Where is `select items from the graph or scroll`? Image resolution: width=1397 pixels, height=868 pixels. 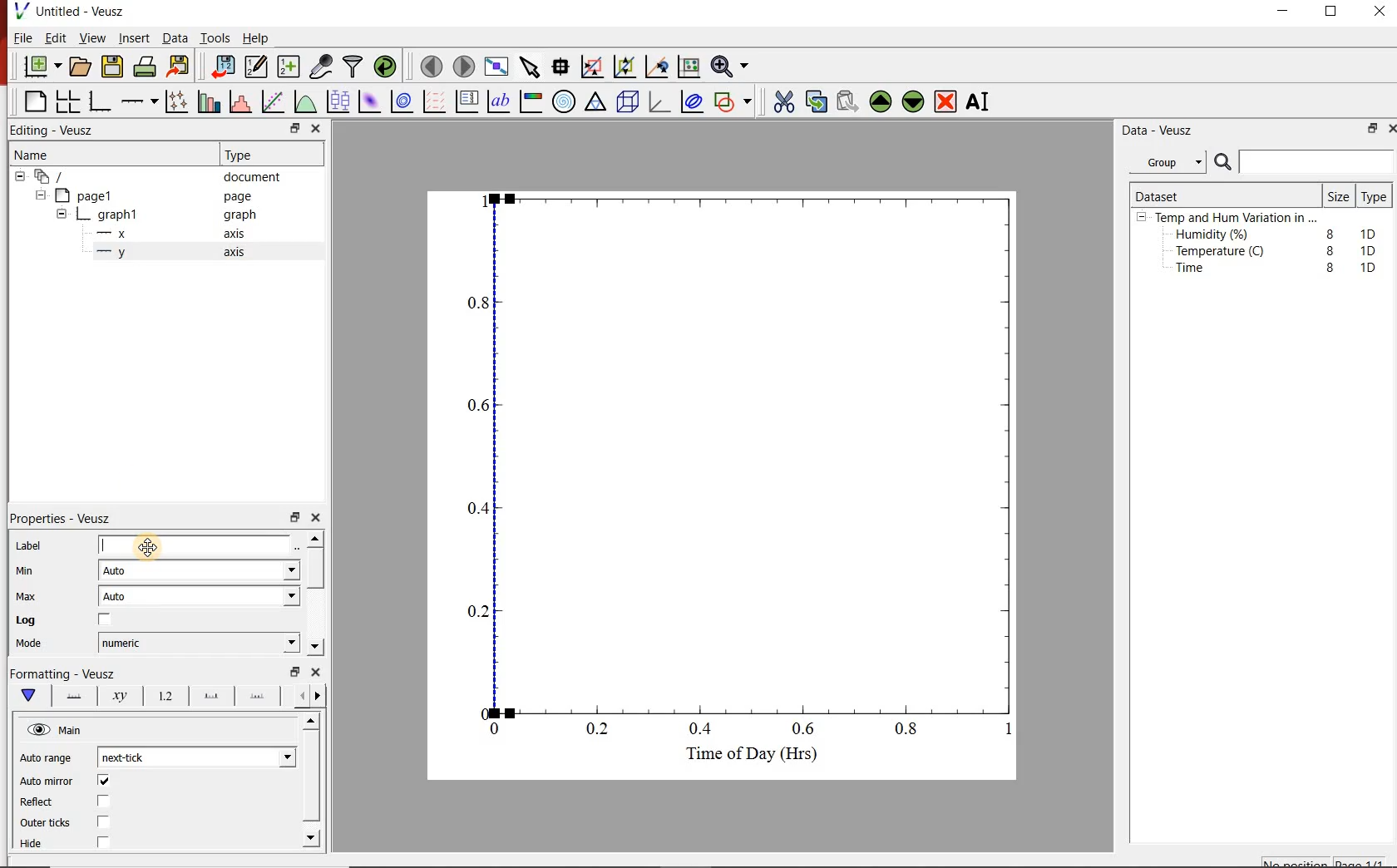
select items from the graph or scroll is located at coordinates (531, 69).